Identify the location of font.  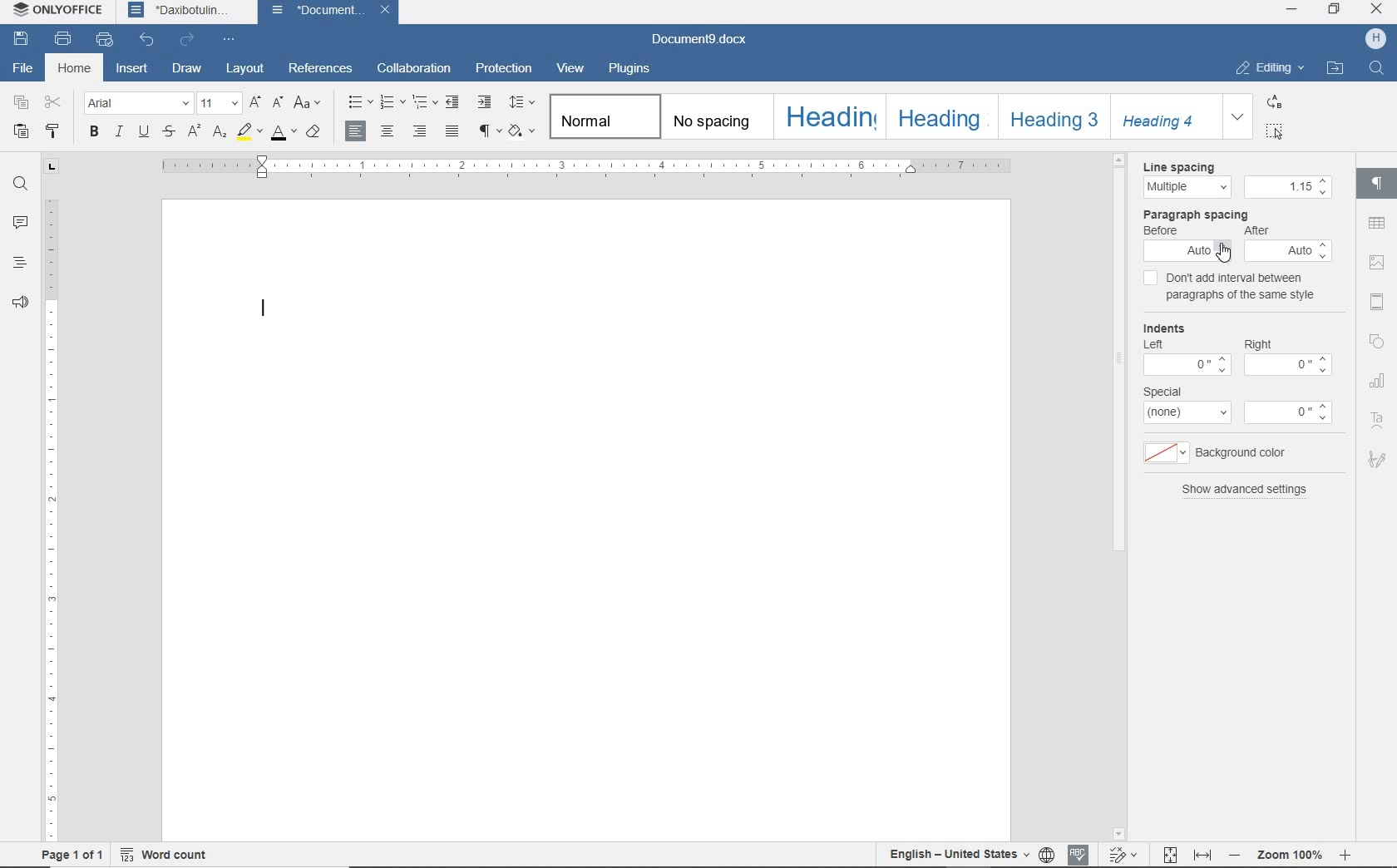
(136, 104).